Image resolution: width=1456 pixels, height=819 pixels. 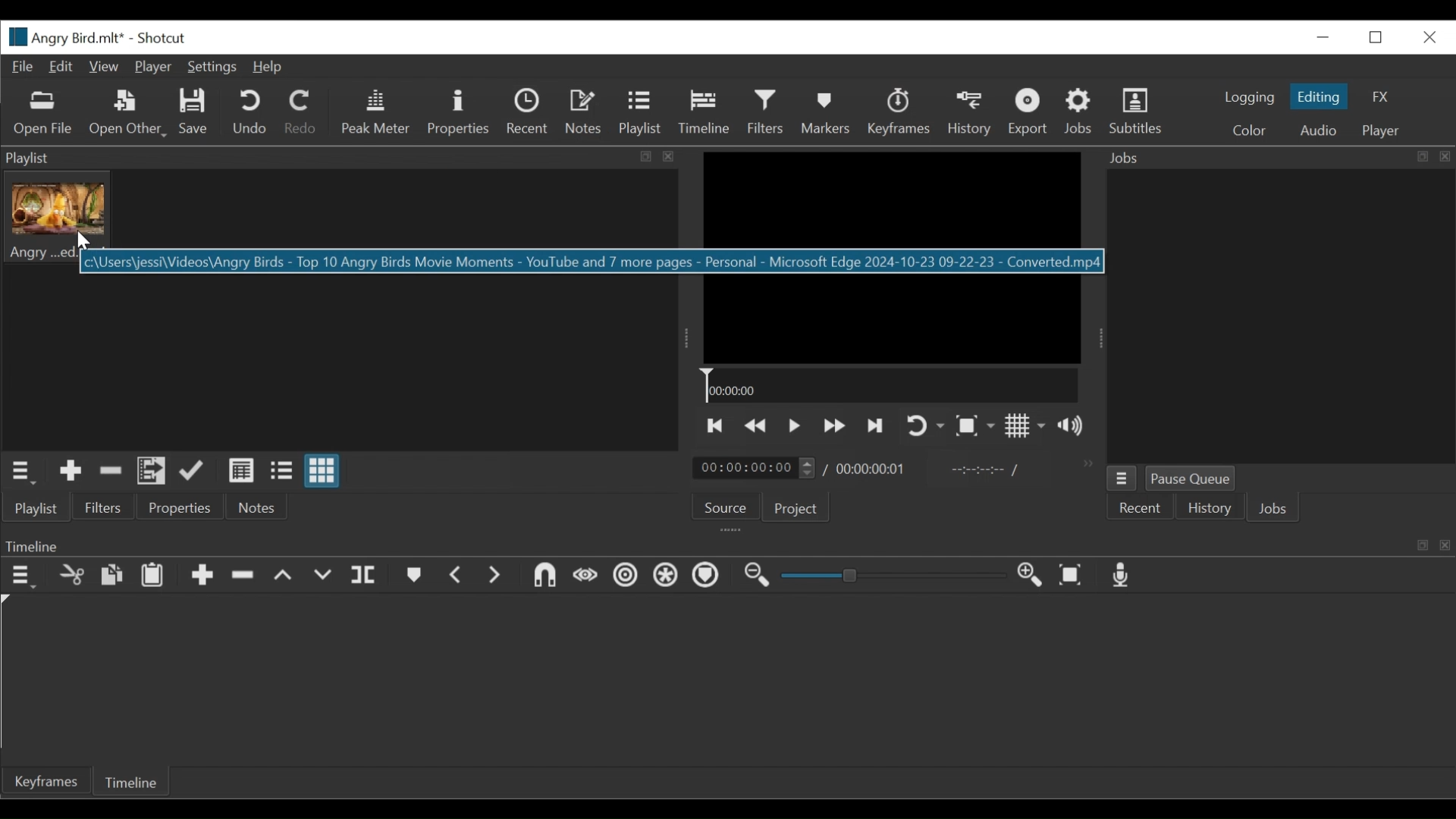 What do you see at coordinates (58, 218) in the screenshot?
I see `Clip` at bounding box center [58, 218].